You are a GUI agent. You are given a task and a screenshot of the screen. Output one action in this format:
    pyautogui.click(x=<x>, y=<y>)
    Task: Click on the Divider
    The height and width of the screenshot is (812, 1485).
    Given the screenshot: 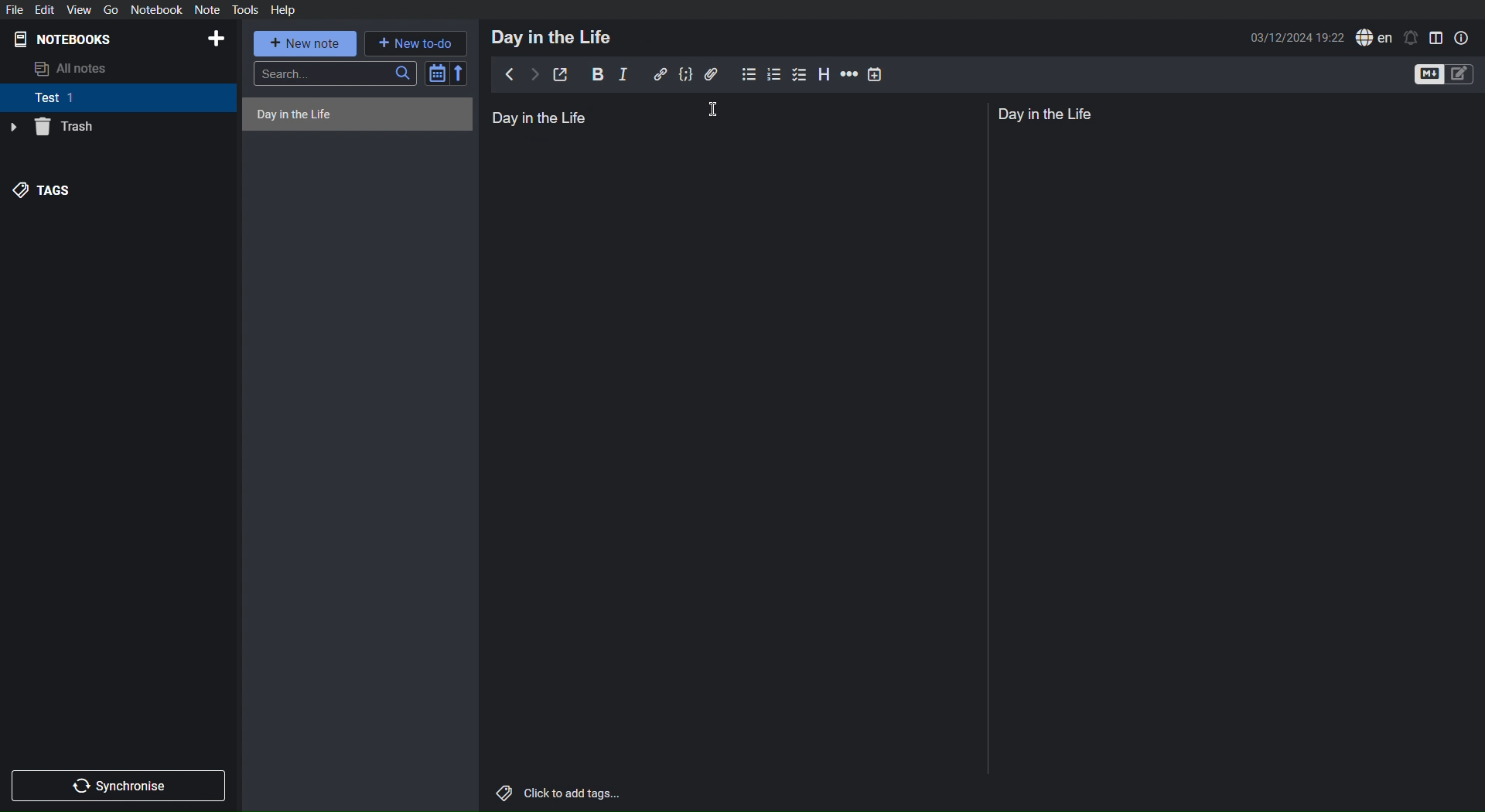 What is the action you would take?
    pyautogui.click(x=978, y=439)
    